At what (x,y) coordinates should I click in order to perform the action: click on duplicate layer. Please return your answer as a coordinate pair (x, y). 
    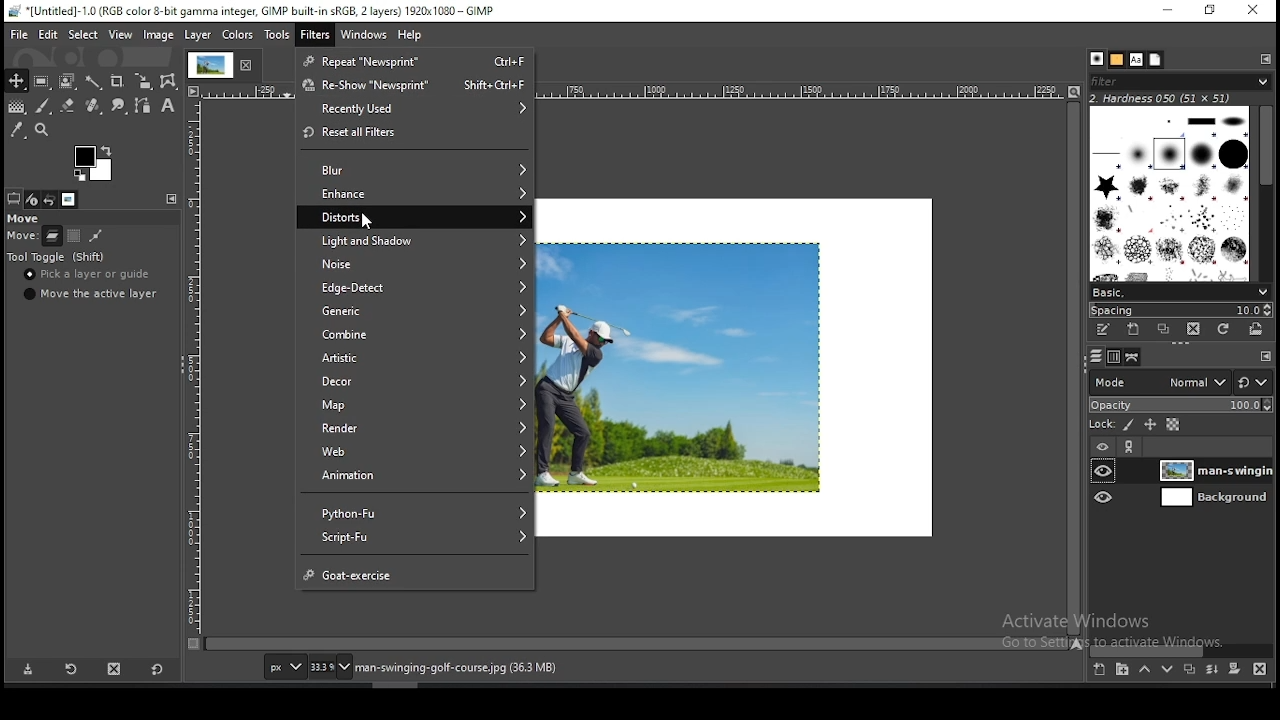
    Looking at the image, I should click on (1190, 668).